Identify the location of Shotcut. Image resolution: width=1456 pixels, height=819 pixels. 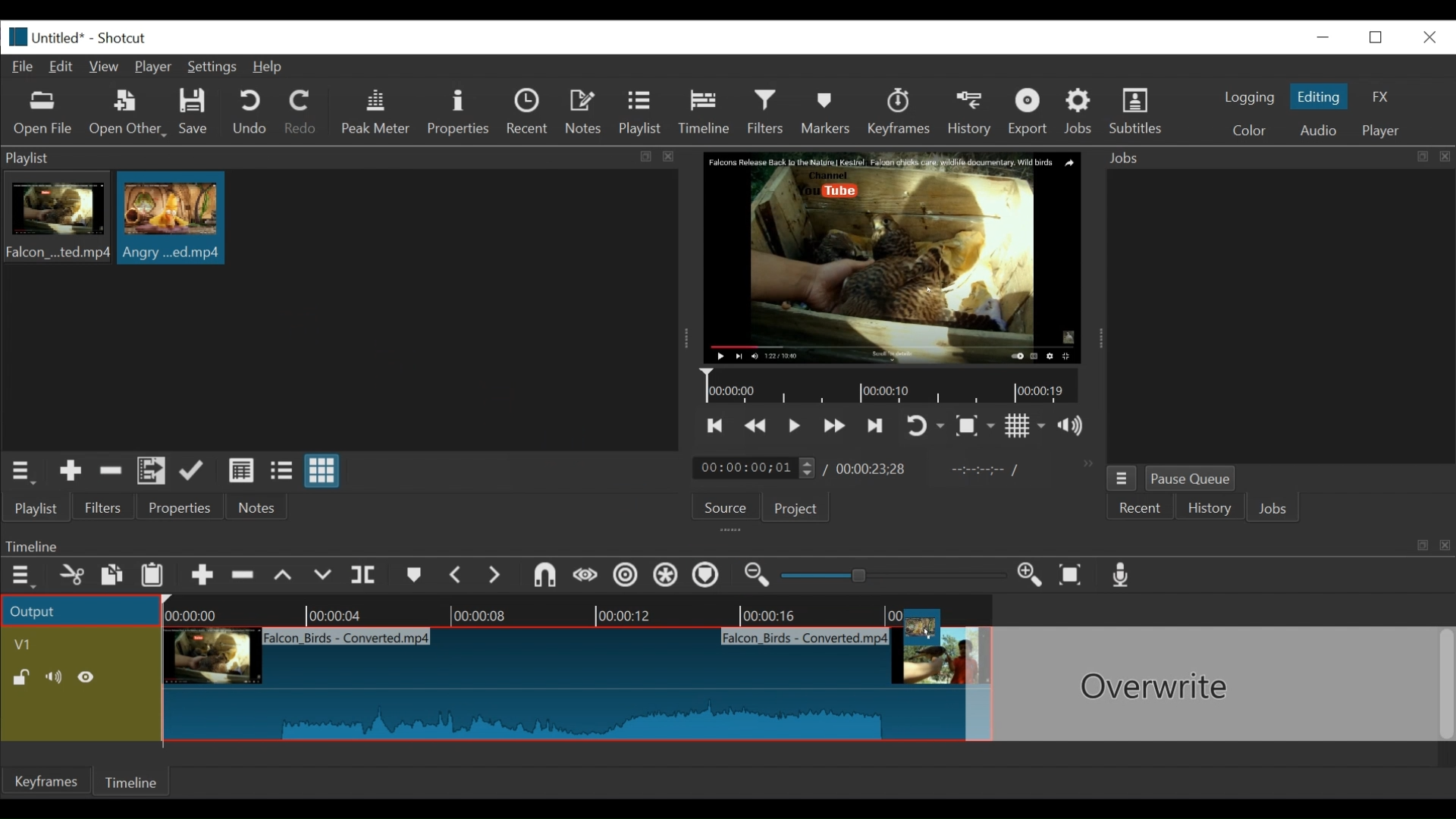
(121, 39).